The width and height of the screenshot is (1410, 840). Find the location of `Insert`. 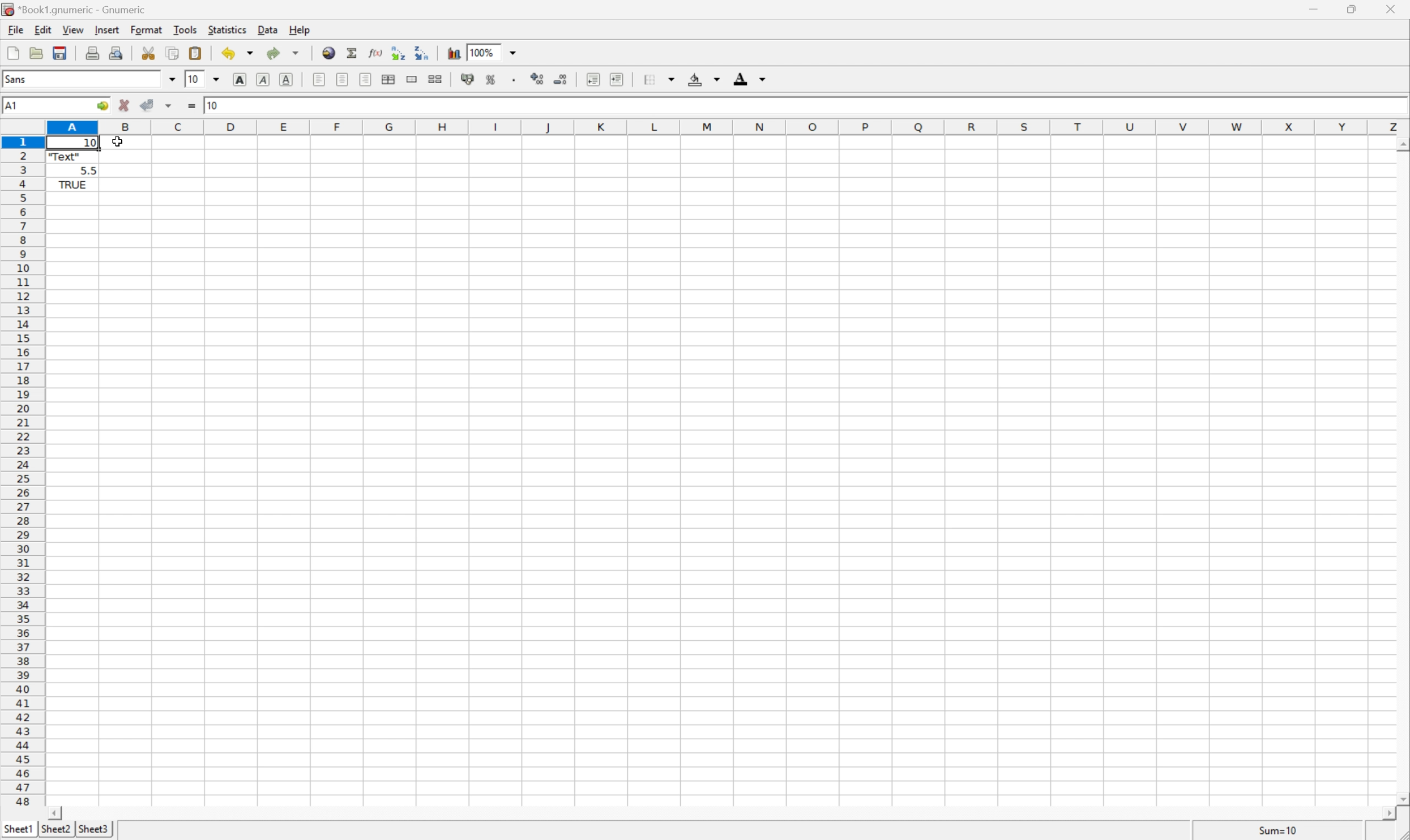

Insert is located at coordinates (106, 29).